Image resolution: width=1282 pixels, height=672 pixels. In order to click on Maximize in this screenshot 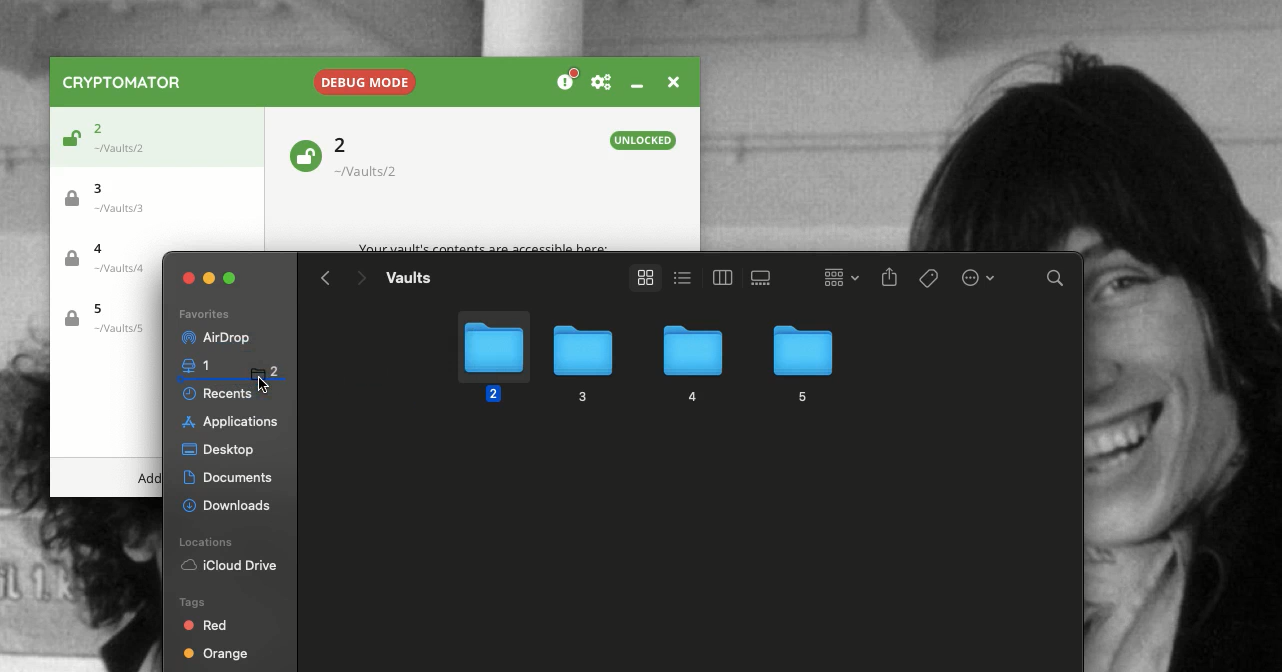, I will do `click(232, 278)`.